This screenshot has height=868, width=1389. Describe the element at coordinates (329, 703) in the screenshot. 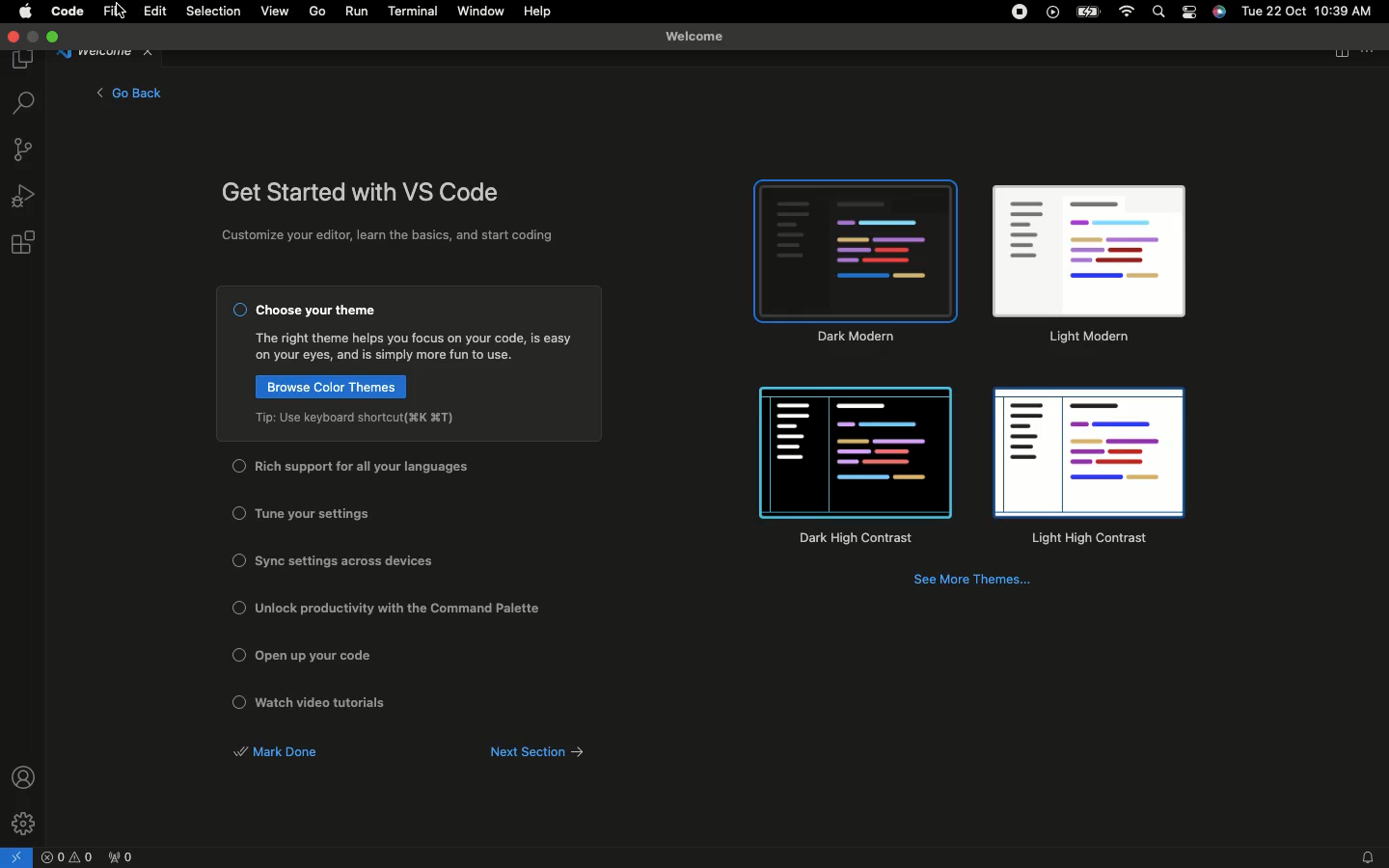

I see `Watch video tutorials` at that location.